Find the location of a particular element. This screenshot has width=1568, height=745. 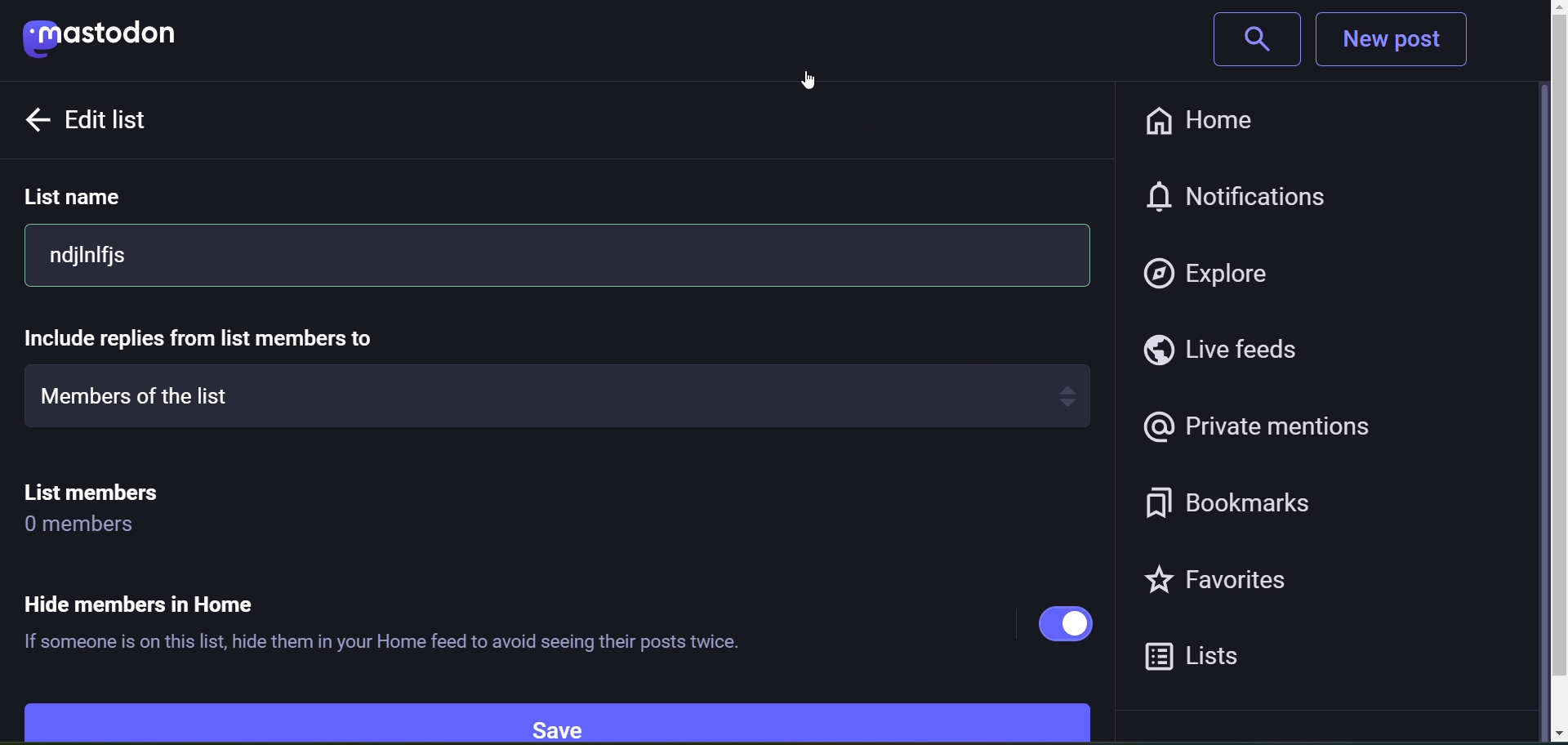

hide members in home enabled is located at coordinates (1069, 623).